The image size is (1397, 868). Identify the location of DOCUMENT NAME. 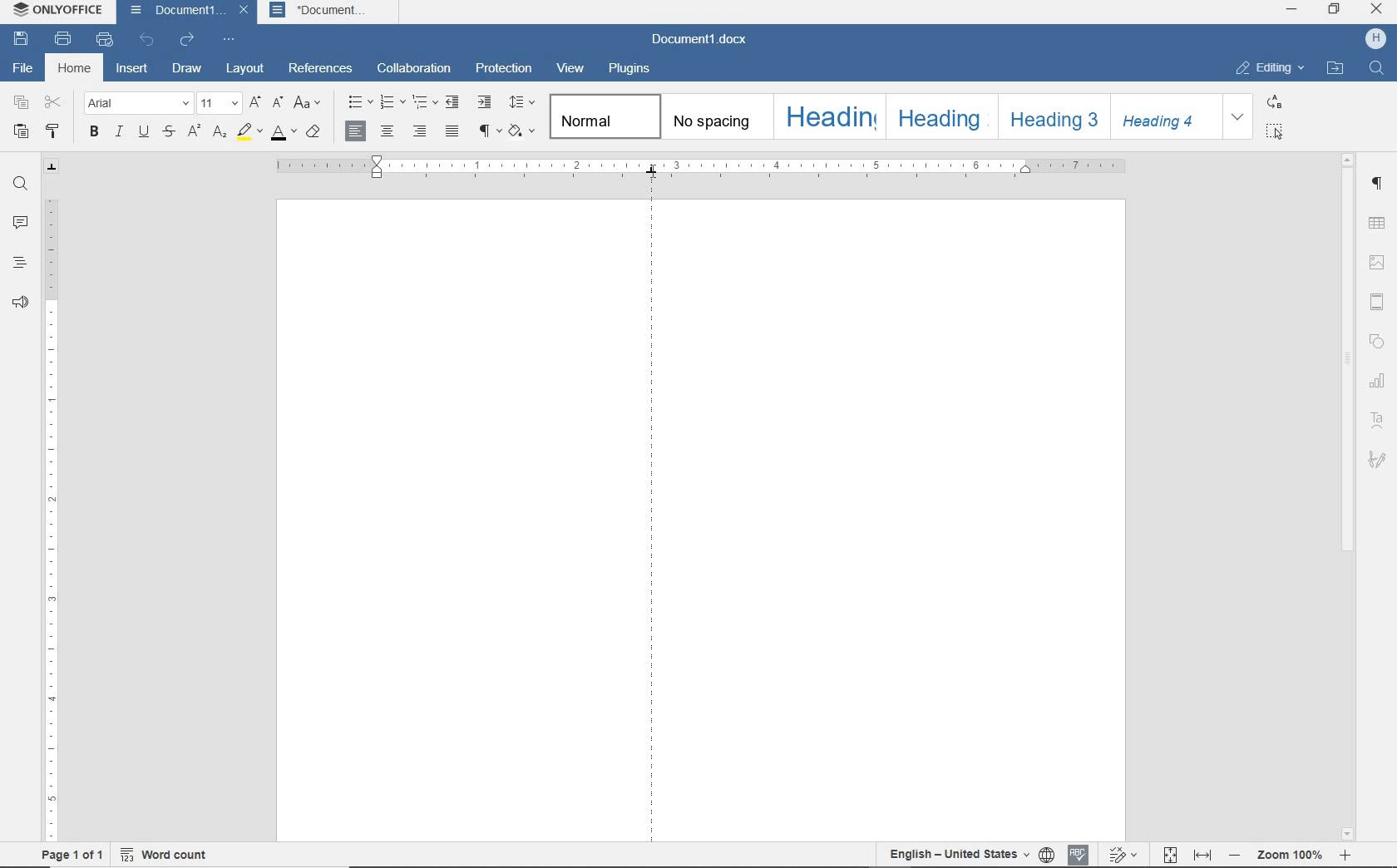
(174, 11).